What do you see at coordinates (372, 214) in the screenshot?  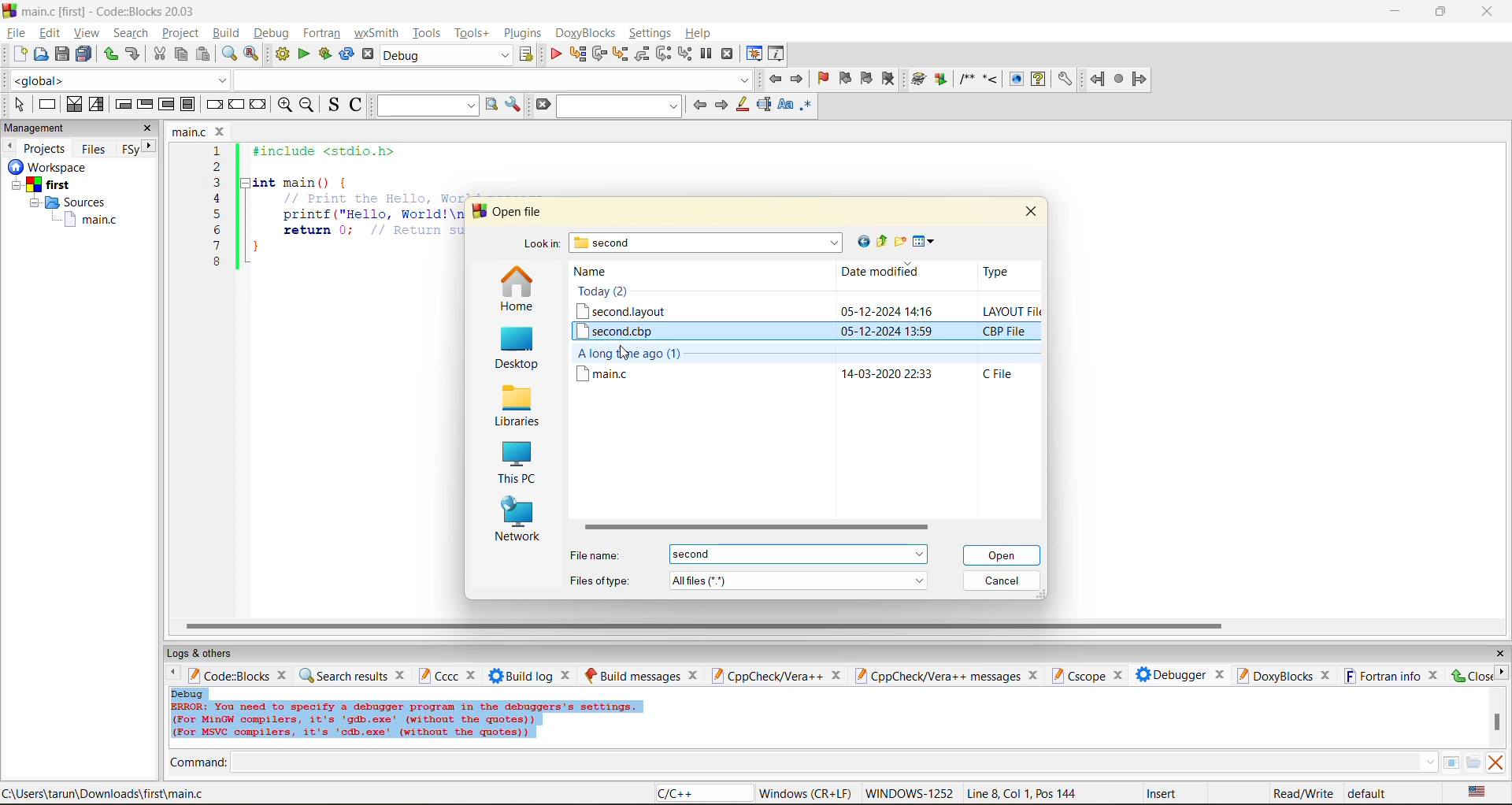 I see `printf("Hello, World!\n"` at bounding box center [372, 214].